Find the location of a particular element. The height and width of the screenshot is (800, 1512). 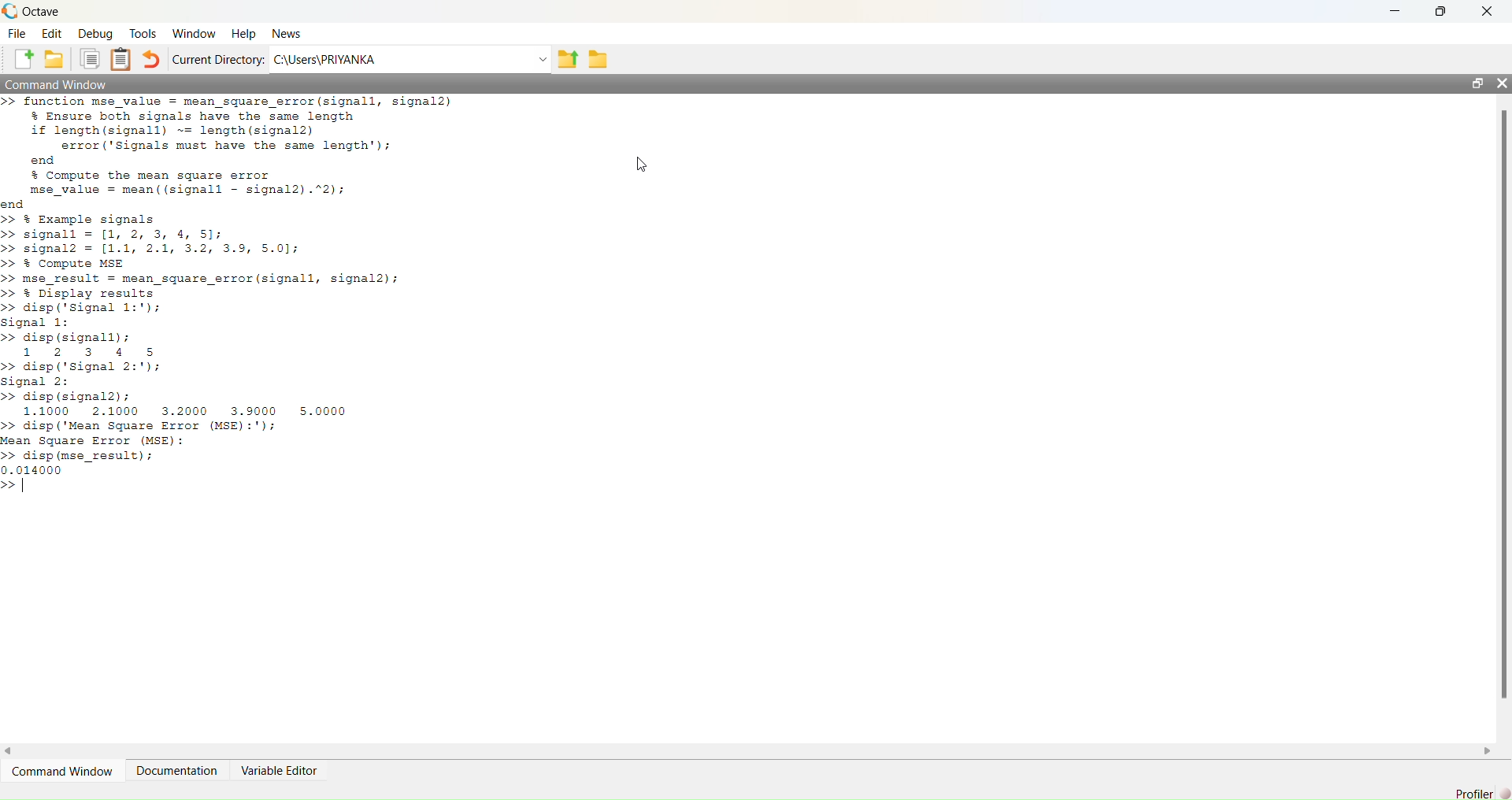

octave is located at coordinates (43, 13).